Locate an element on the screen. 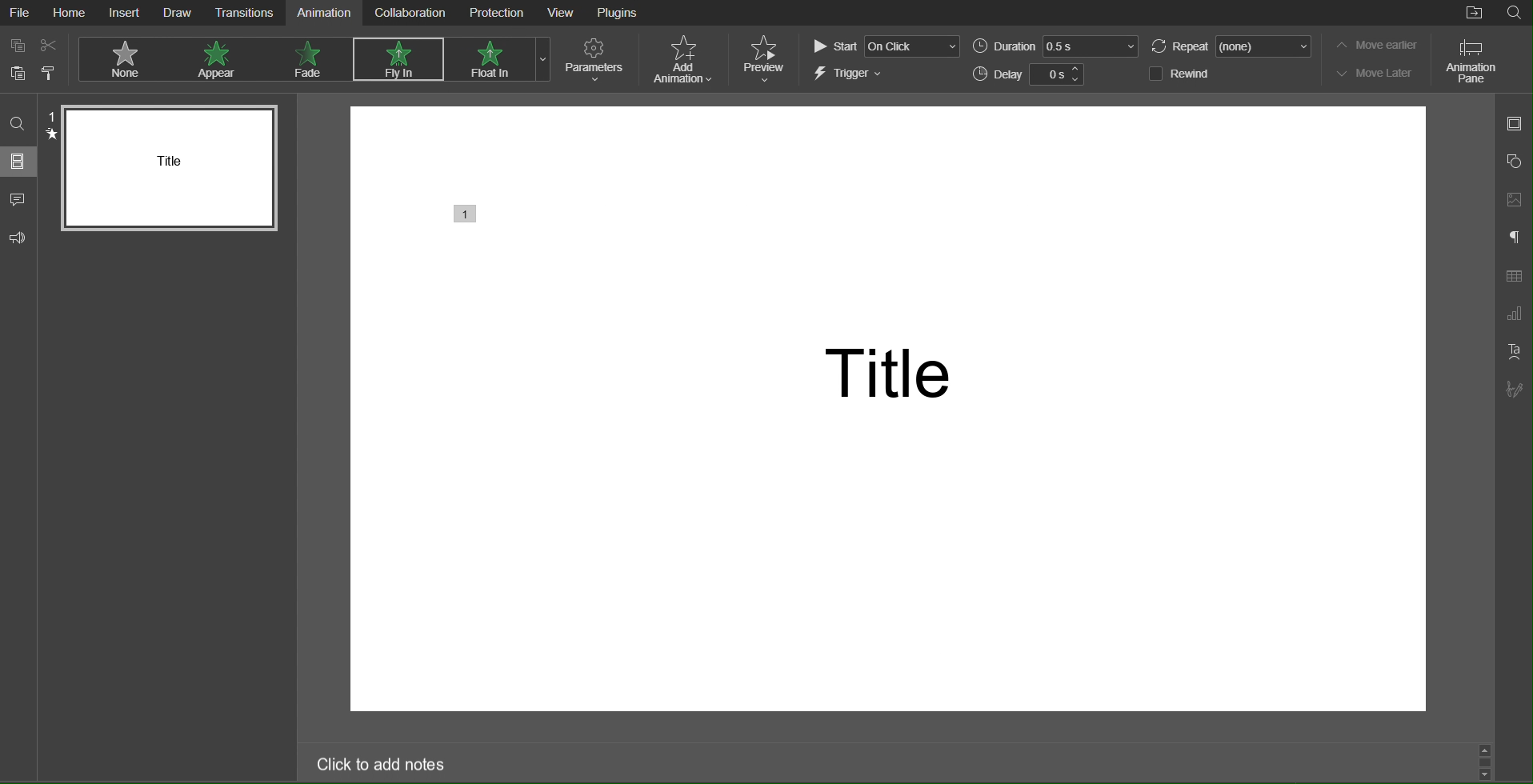 The width and height of the screenshot is (1533, 784). Animation Added is located at coordinates (462, 214).